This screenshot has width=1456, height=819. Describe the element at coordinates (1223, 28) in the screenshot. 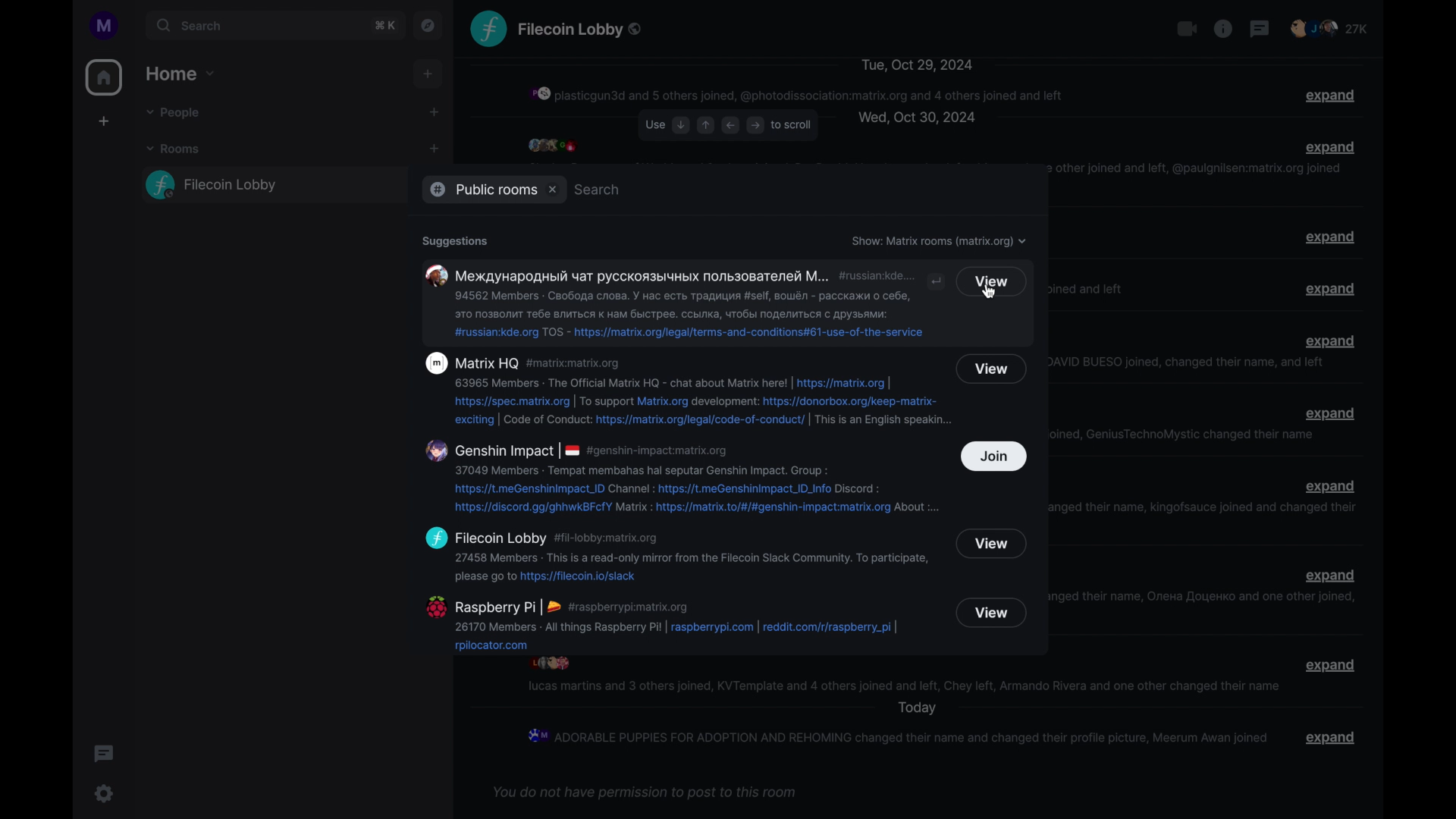

I see `room info` at that location.